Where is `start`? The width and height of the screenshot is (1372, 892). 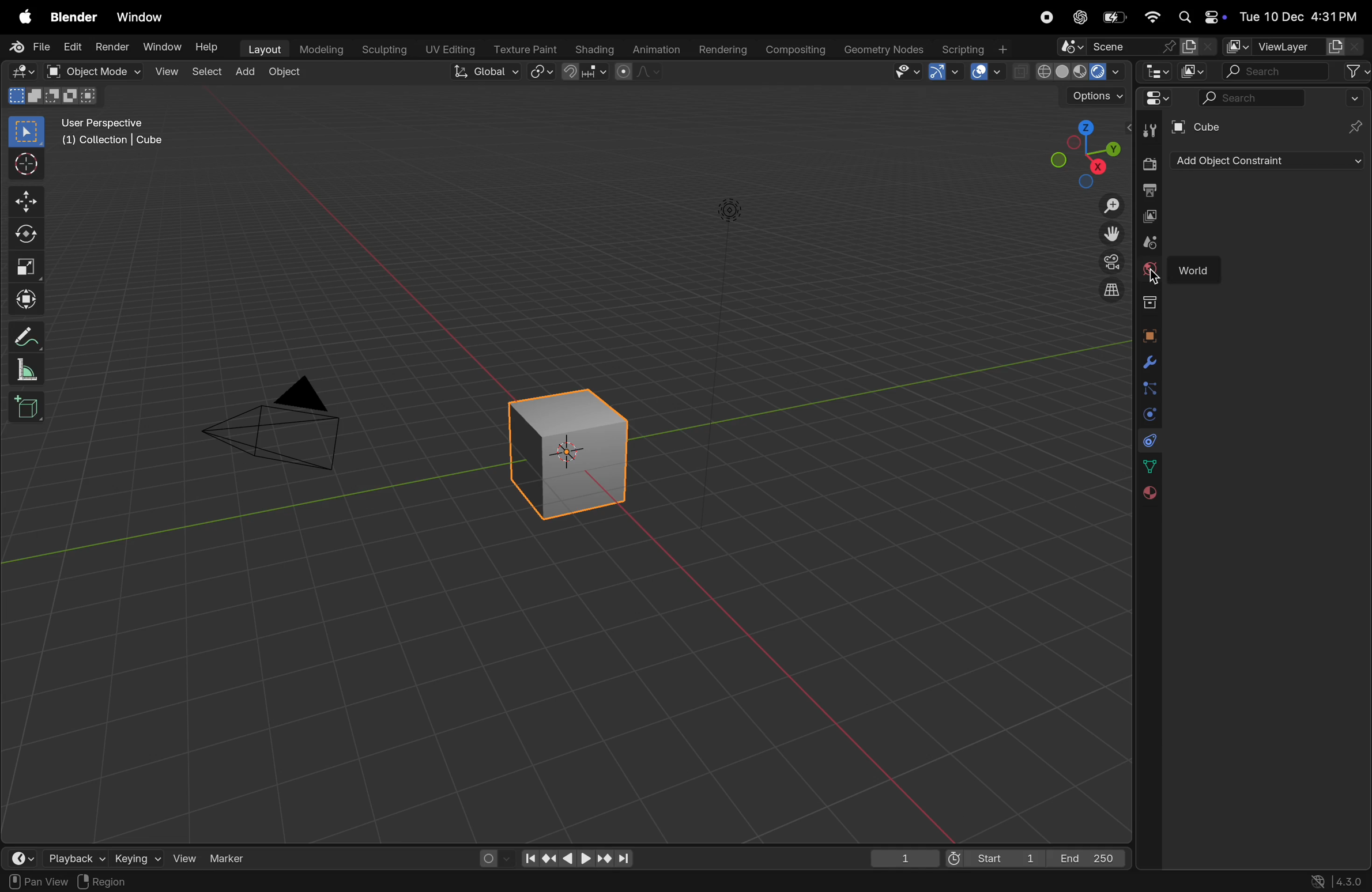 start is located at coordinates (996, 855).